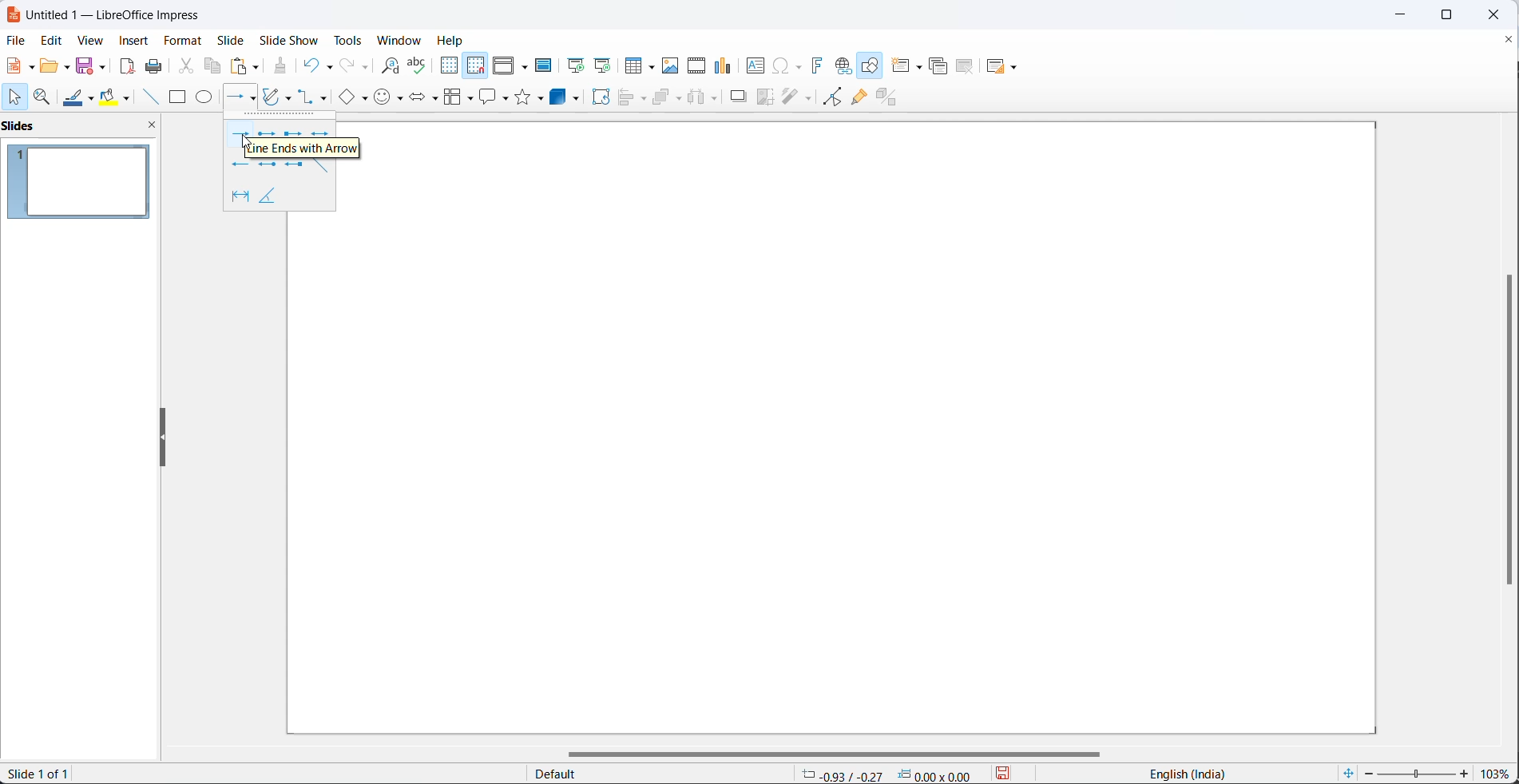 The image size is (1519, 784). I want to click on edit, so click(51, 38).